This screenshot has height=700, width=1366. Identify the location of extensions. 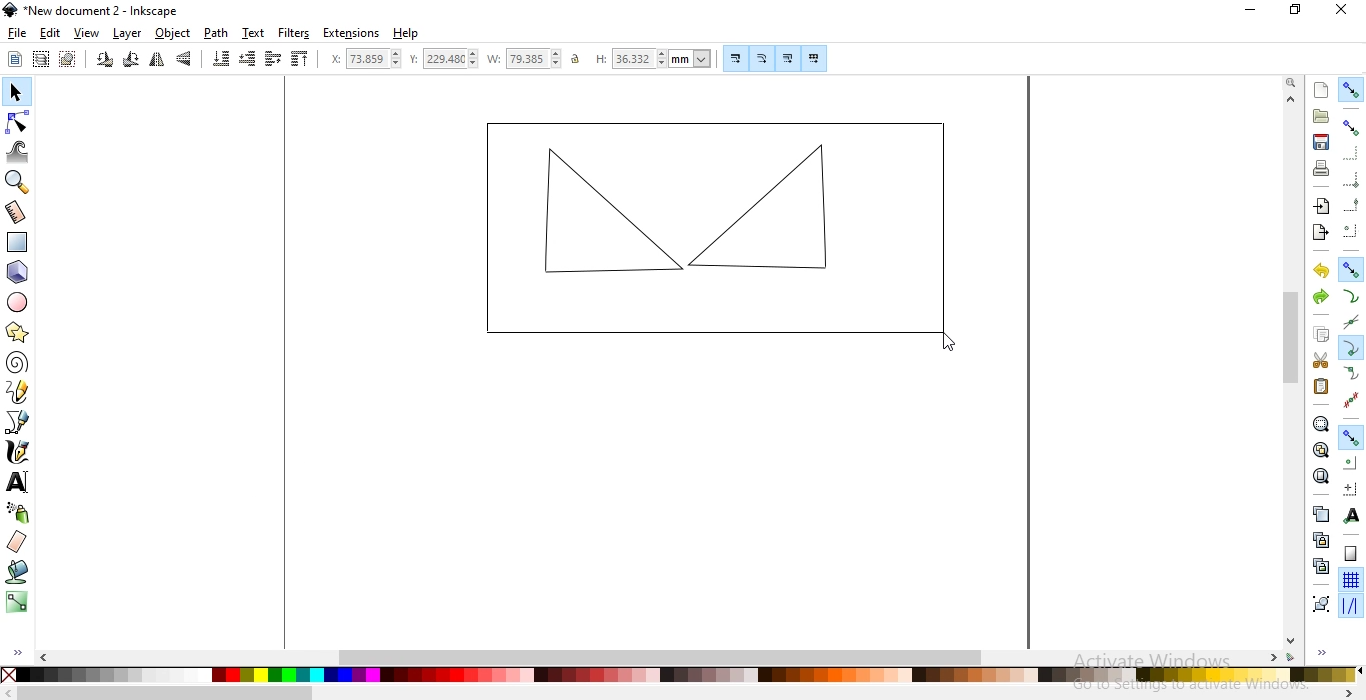
(352, 34).